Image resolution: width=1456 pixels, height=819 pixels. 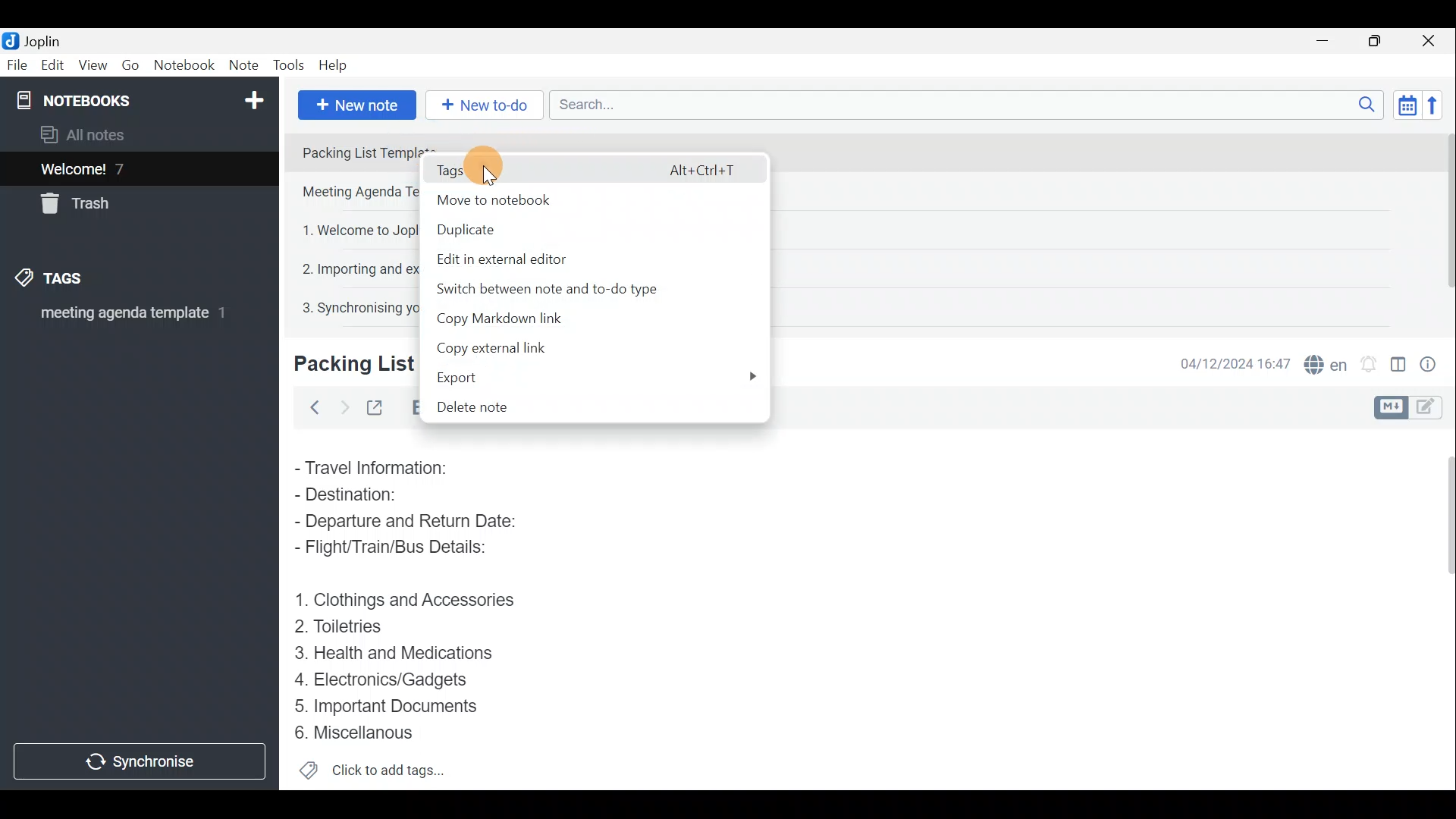 What do you see at coordinates (116, 168) in the screenshot?
I see `Welcome` at bounding box center [116, 168].